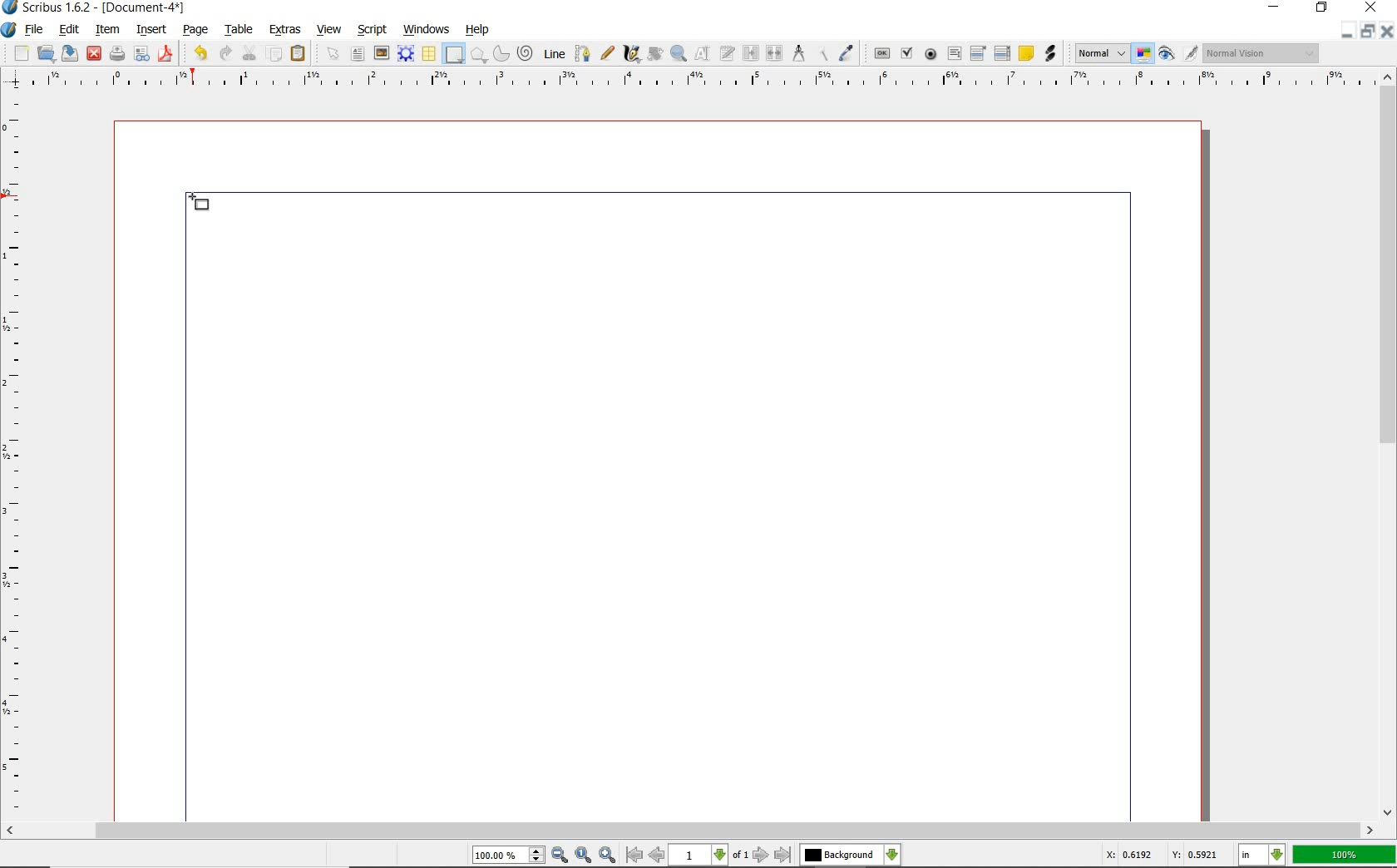  What do you see at coordinates (151, 29) in the screenshot?
I see `insert` at bounding box center [151, 29].